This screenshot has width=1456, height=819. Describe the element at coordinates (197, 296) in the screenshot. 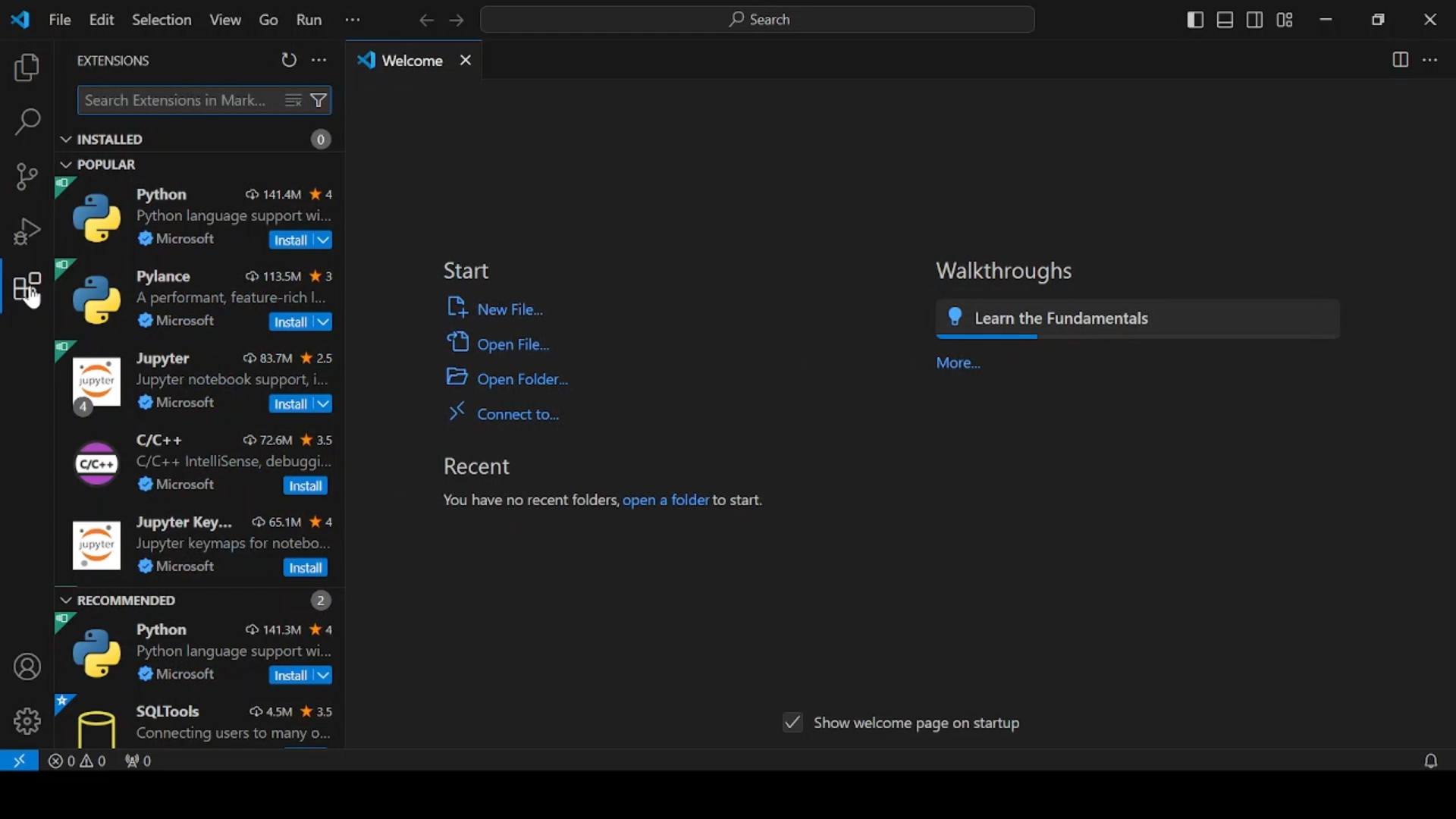

I see `pylance` at that location.